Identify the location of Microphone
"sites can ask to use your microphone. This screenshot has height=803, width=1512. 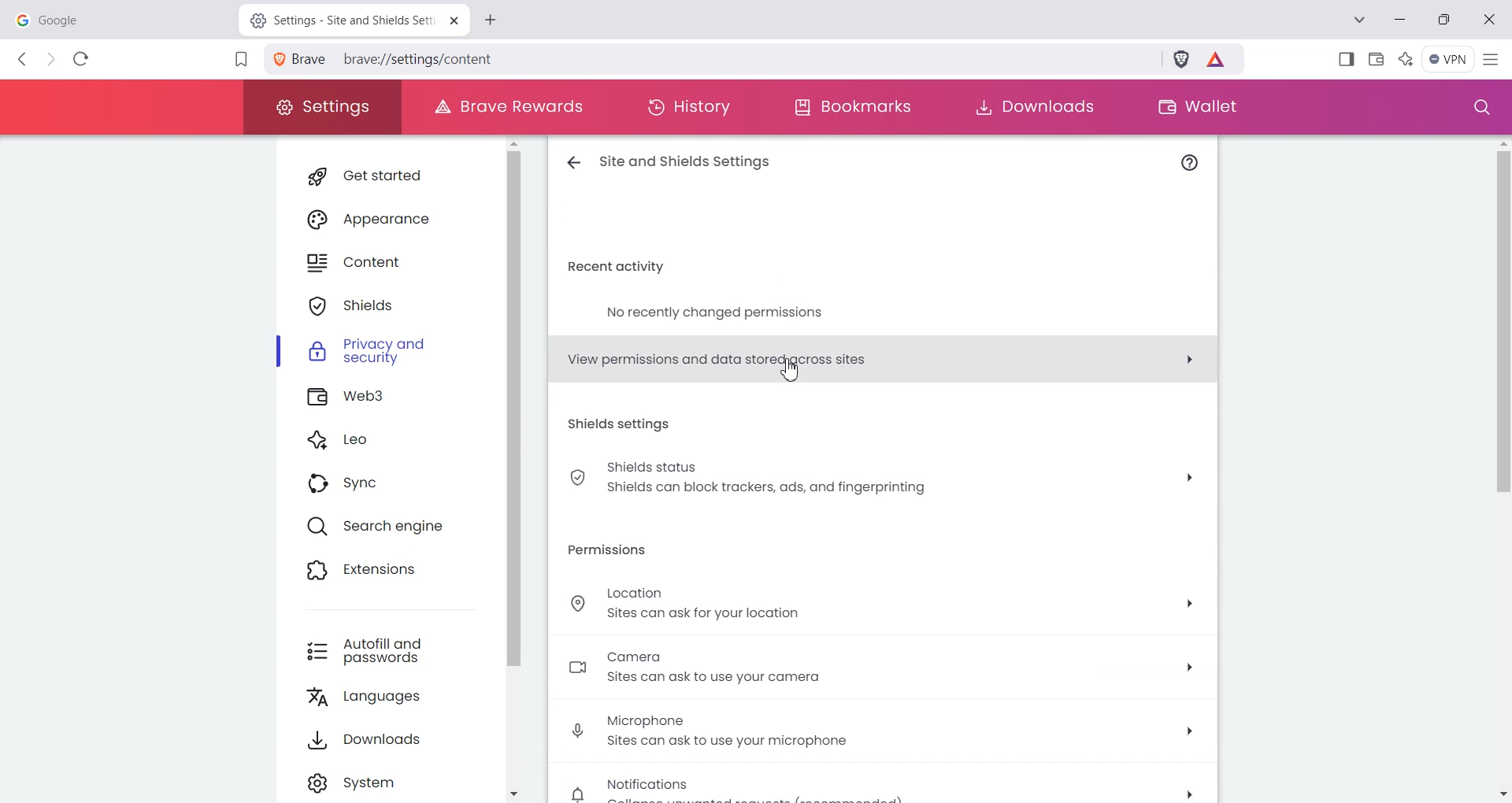
(885, 728).